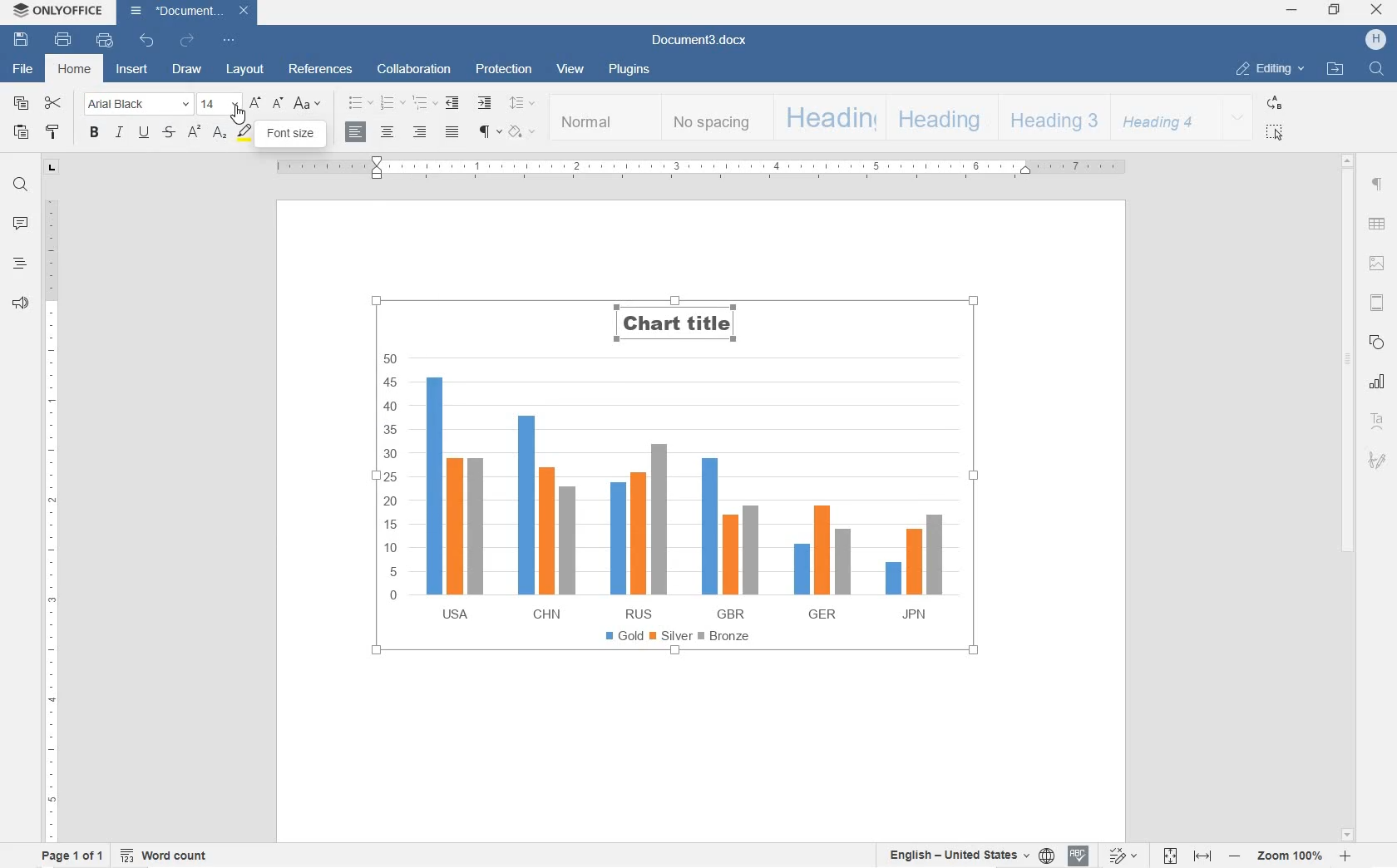 This screenshot has width=1397, height=868. I want to click on REPLACE, so click(1272, 102).